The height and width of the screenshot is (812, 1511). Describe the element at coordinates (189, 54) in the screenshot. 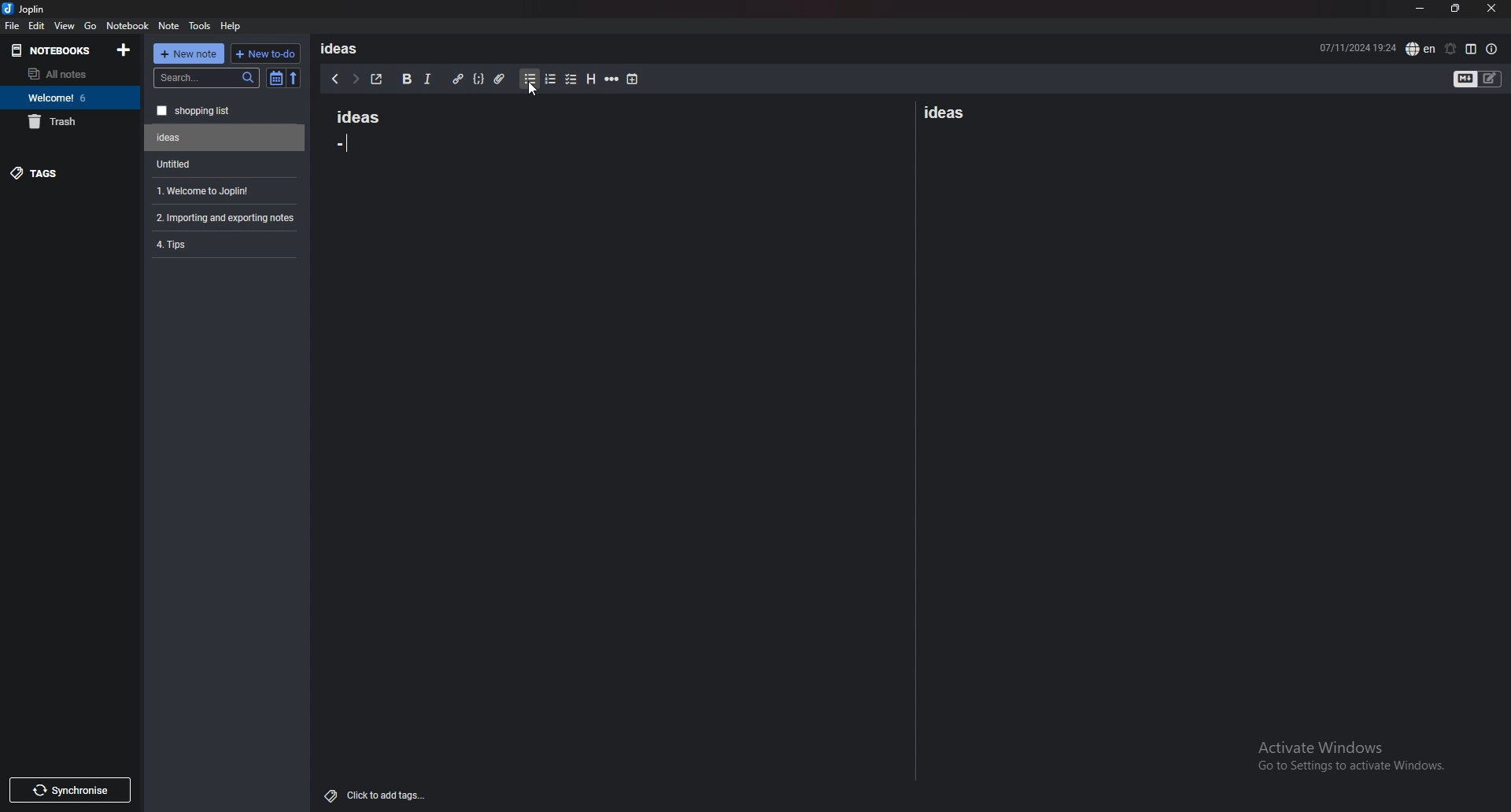

I see `new note` at that location.